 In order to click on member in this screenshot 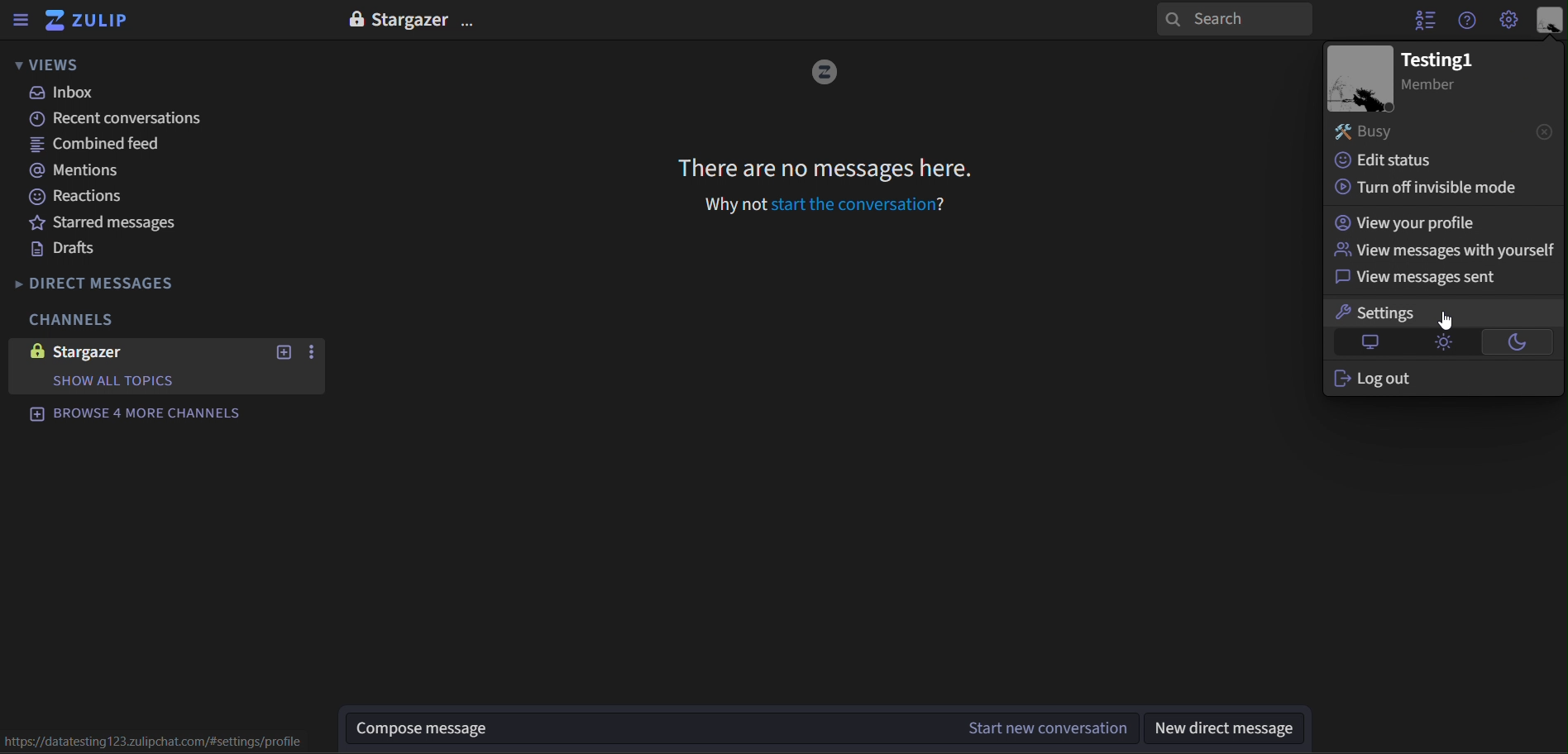, I will do `click(1440, 84)`.